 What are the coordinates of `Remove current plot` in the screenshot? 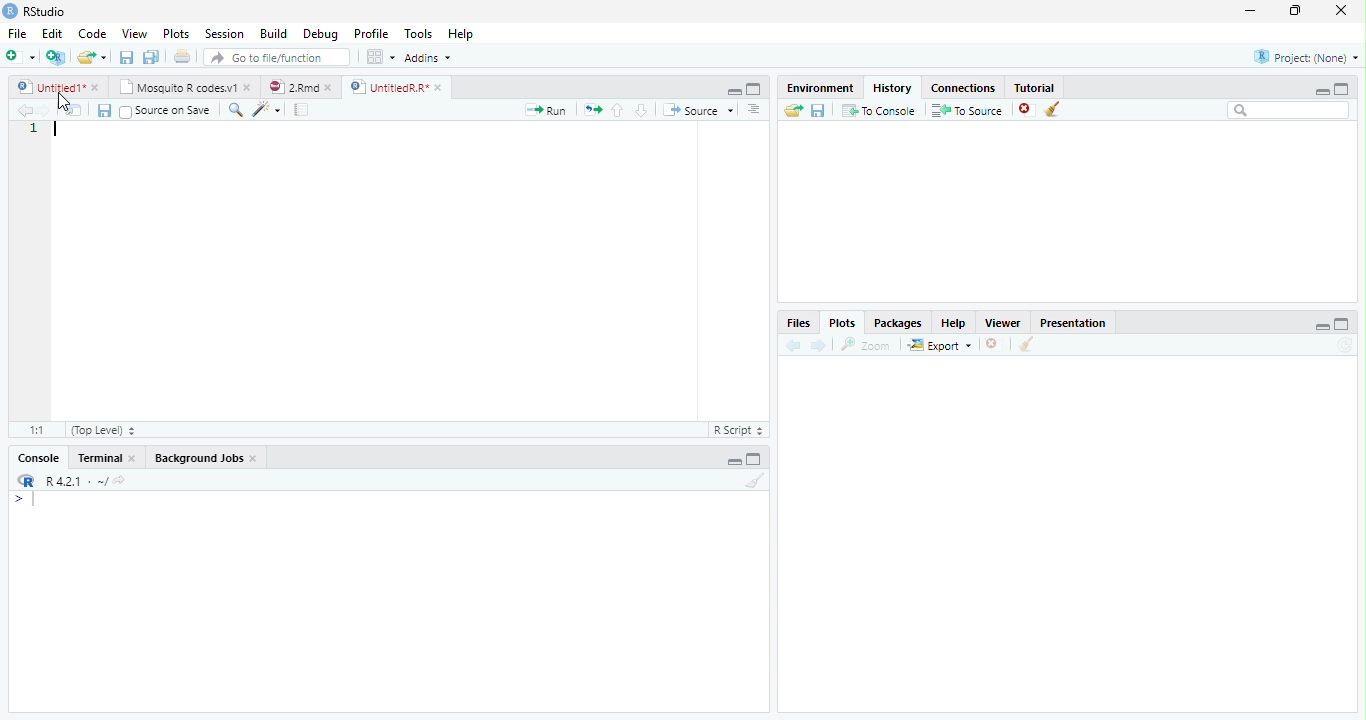 It's located at (995, 344).